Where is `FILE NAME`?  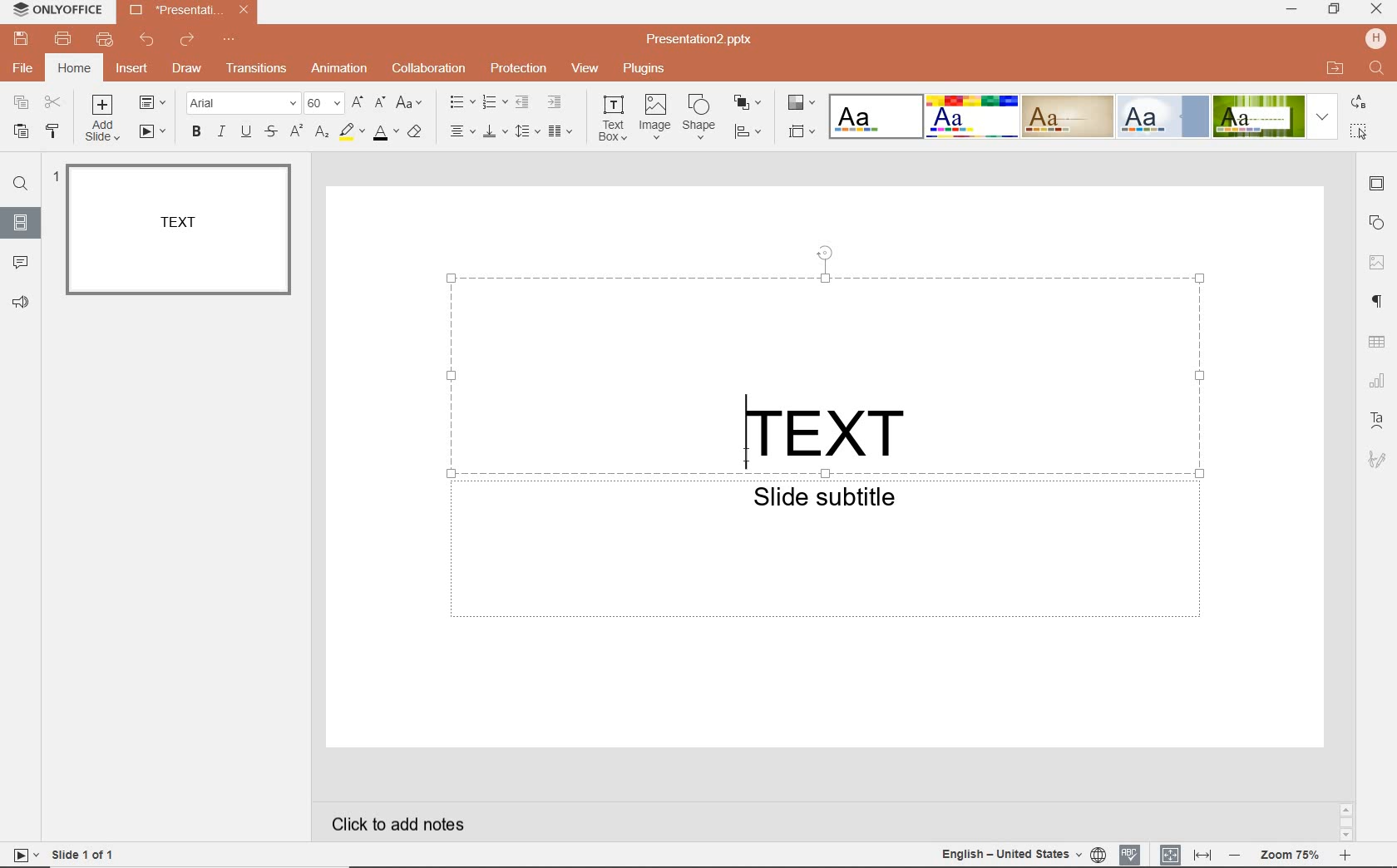
FILE NAME is located at coordinates (704, 39).